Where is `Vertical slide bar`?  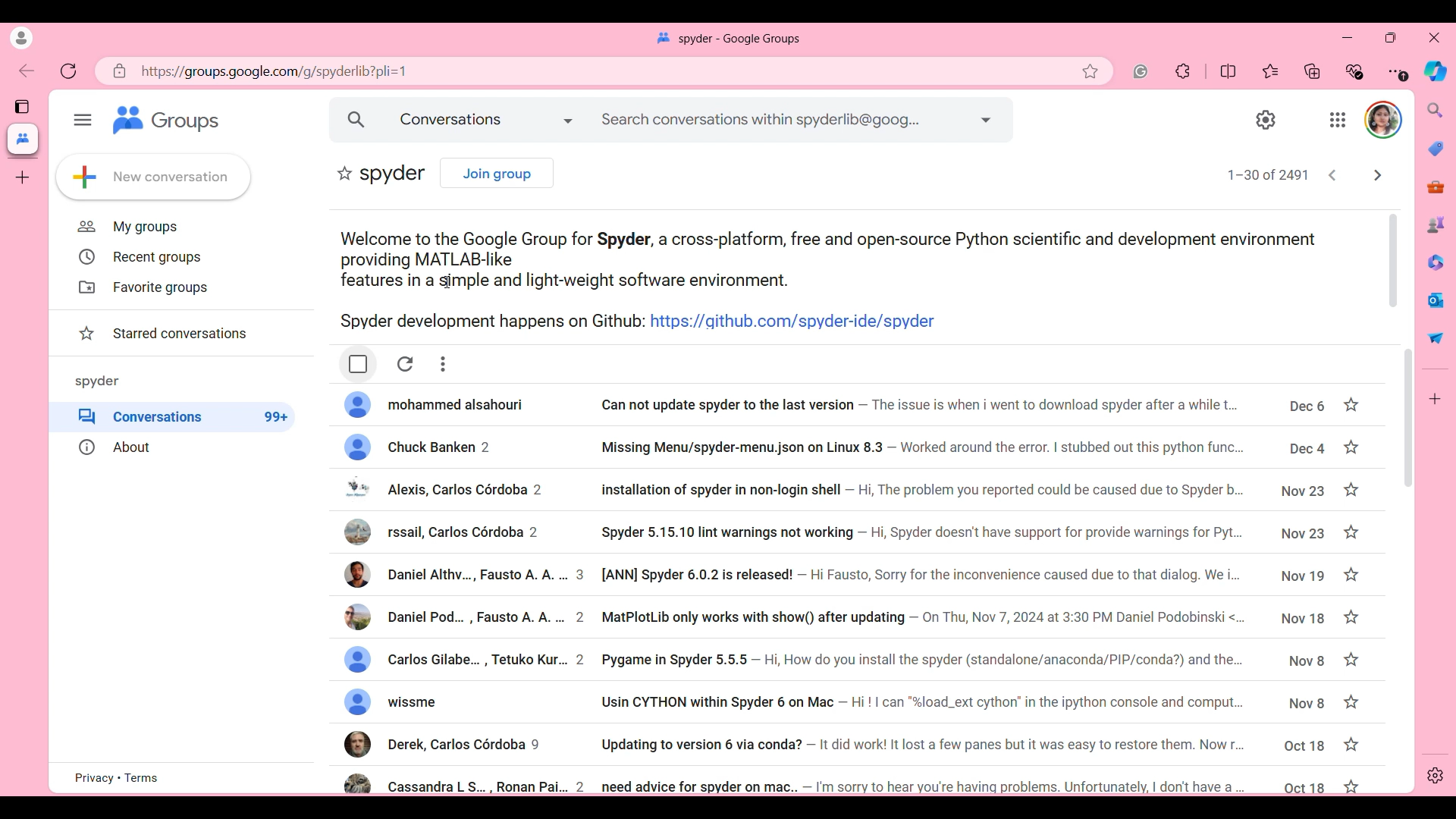
Vertical slide bar is located at coordinates (1408, 419).